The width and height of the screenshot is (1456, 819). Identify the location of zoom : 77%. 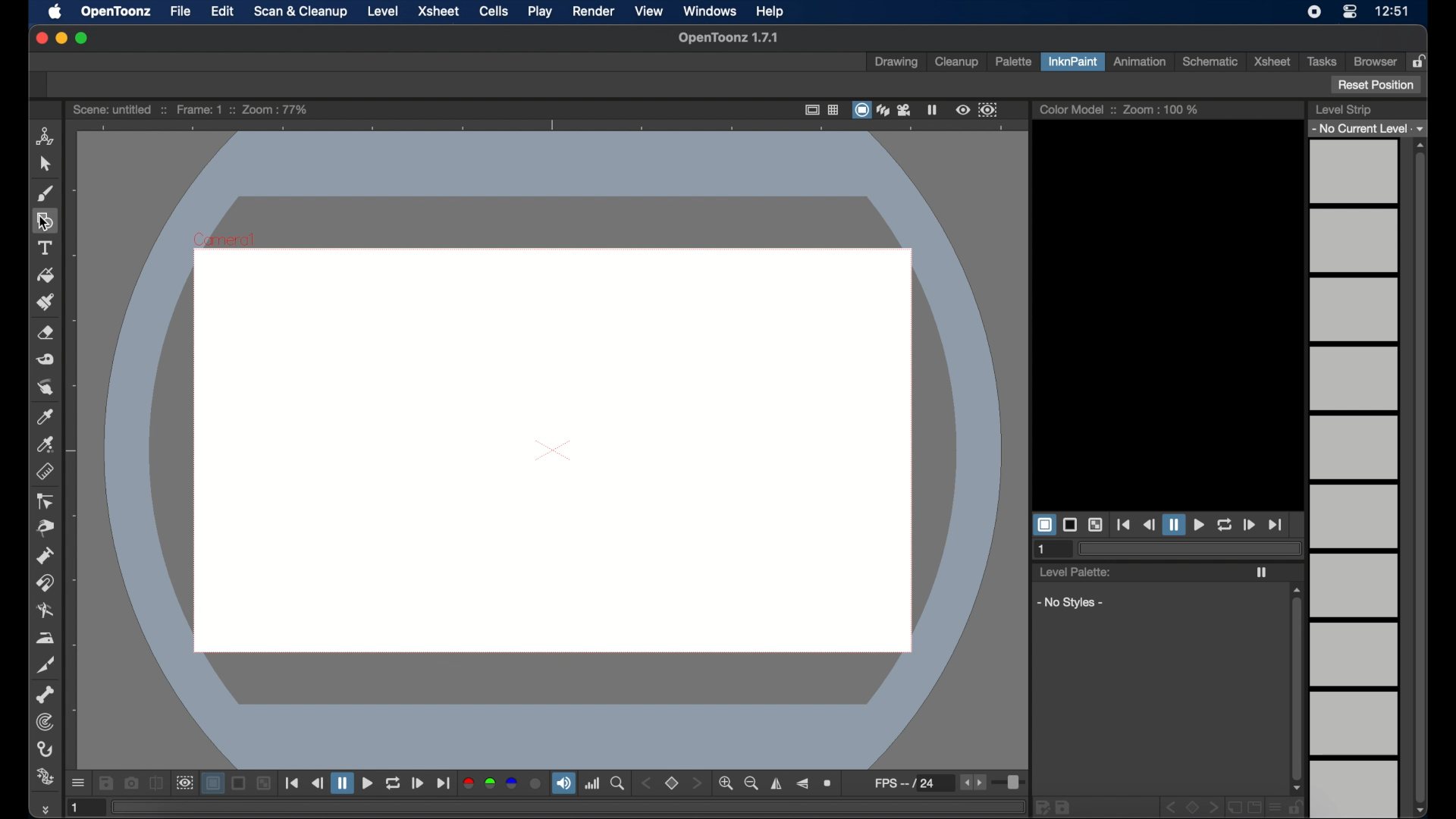
(276, 109).